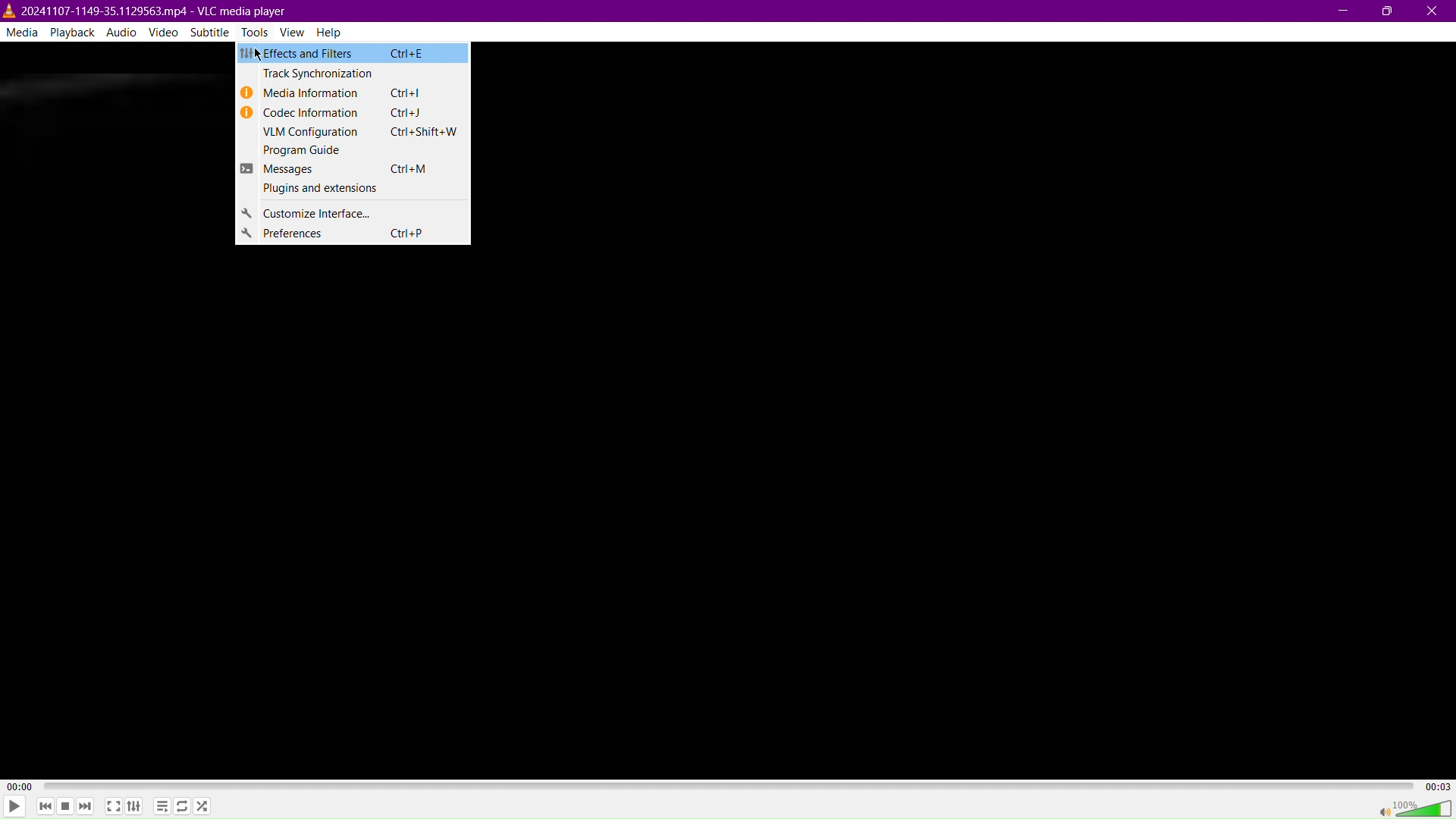 Image resolution: width=1456 pixels, height=819 pixels. I want to click on Video, so click(166, 32).